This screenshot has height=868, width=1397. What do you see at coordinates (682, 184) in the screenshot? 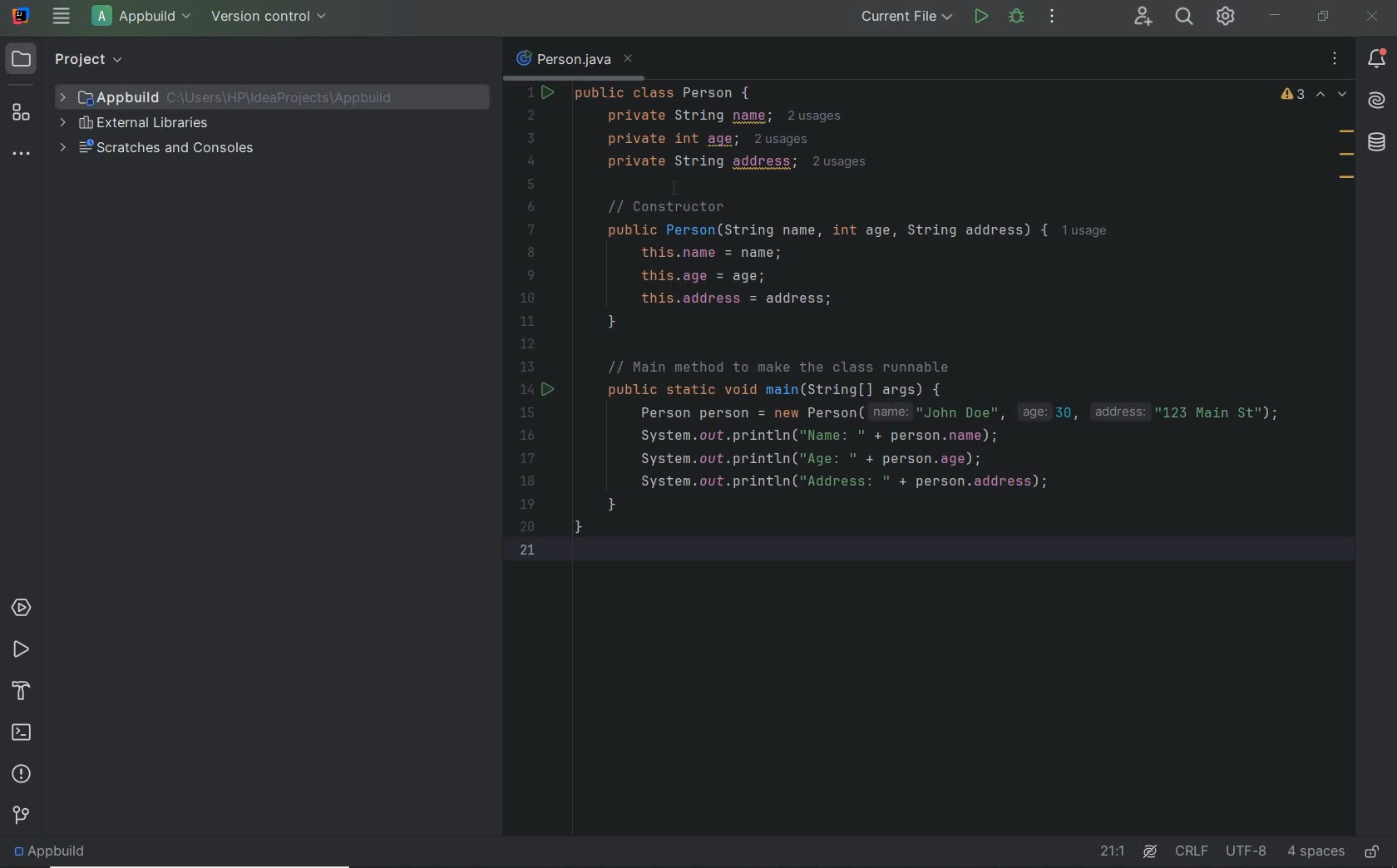
I see `cursor` at bounding box center [682, 184].